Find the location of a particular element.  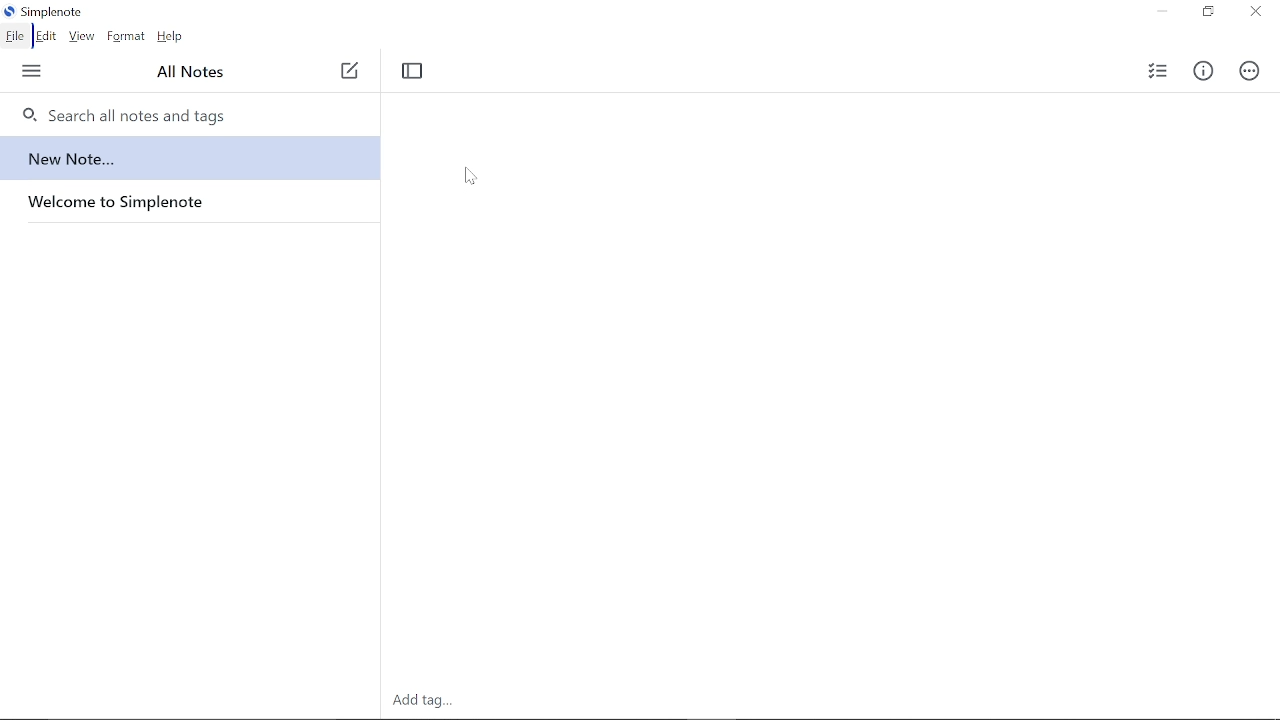

Toggle focus mode is located at coordinates (419, 72).